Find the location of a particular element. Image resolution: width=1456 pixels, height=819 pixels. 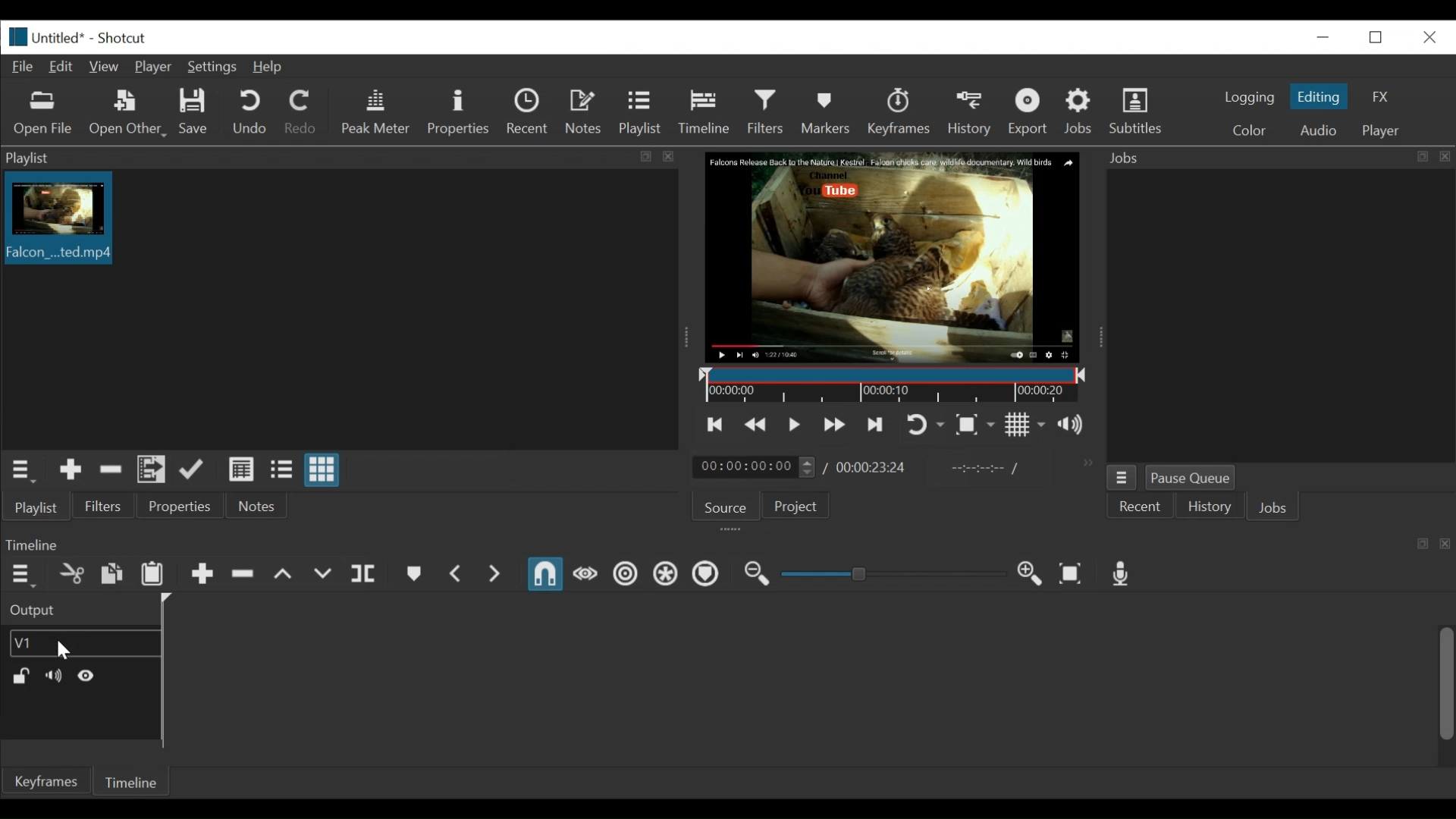

Video track name is located at coordinates (80, 642).